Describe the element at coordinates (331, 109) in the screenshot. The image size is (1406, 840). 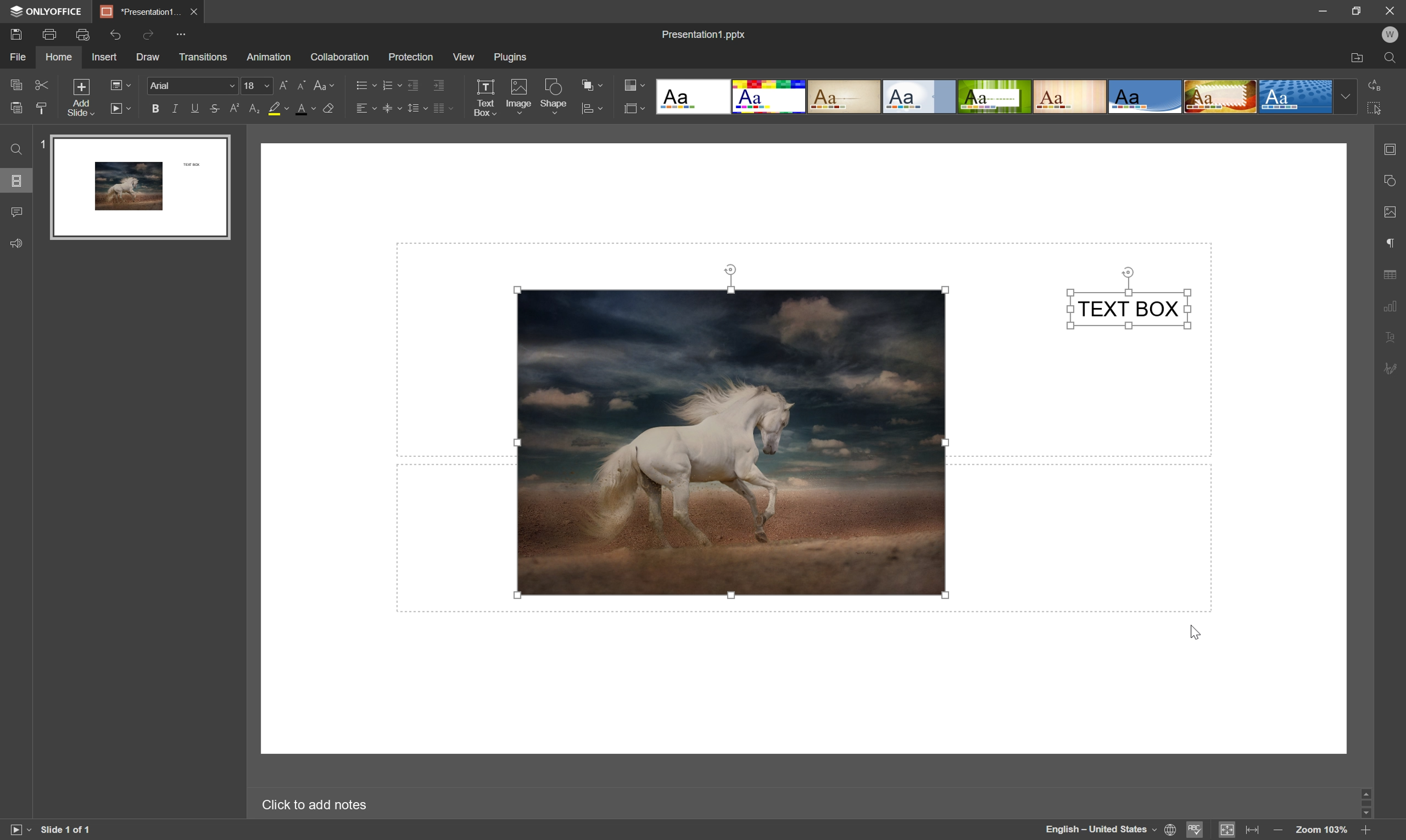
I see `clear style` at that location.